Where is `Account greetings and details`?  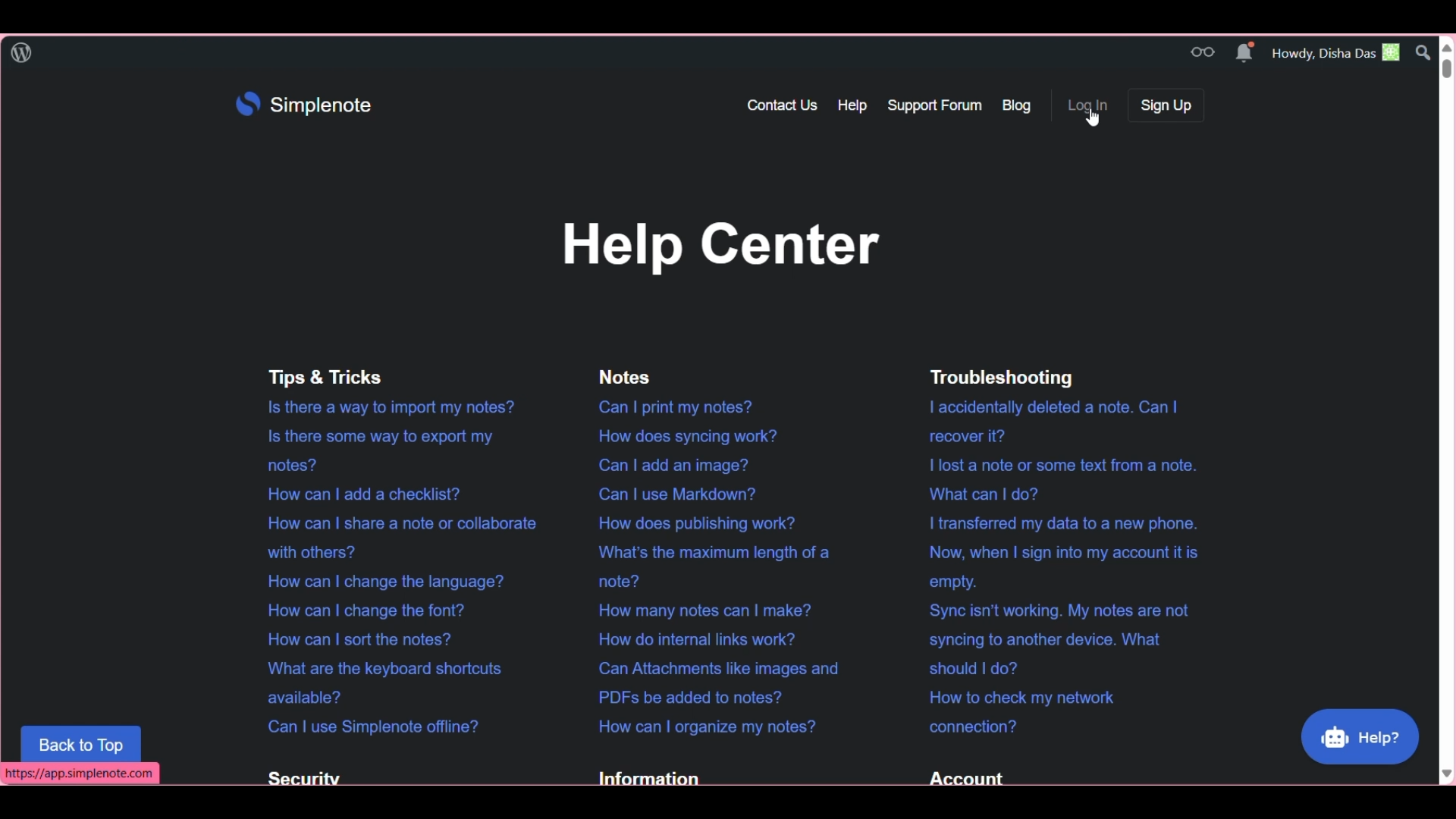 Account greetings and details is located at coordinates (1338, 52).